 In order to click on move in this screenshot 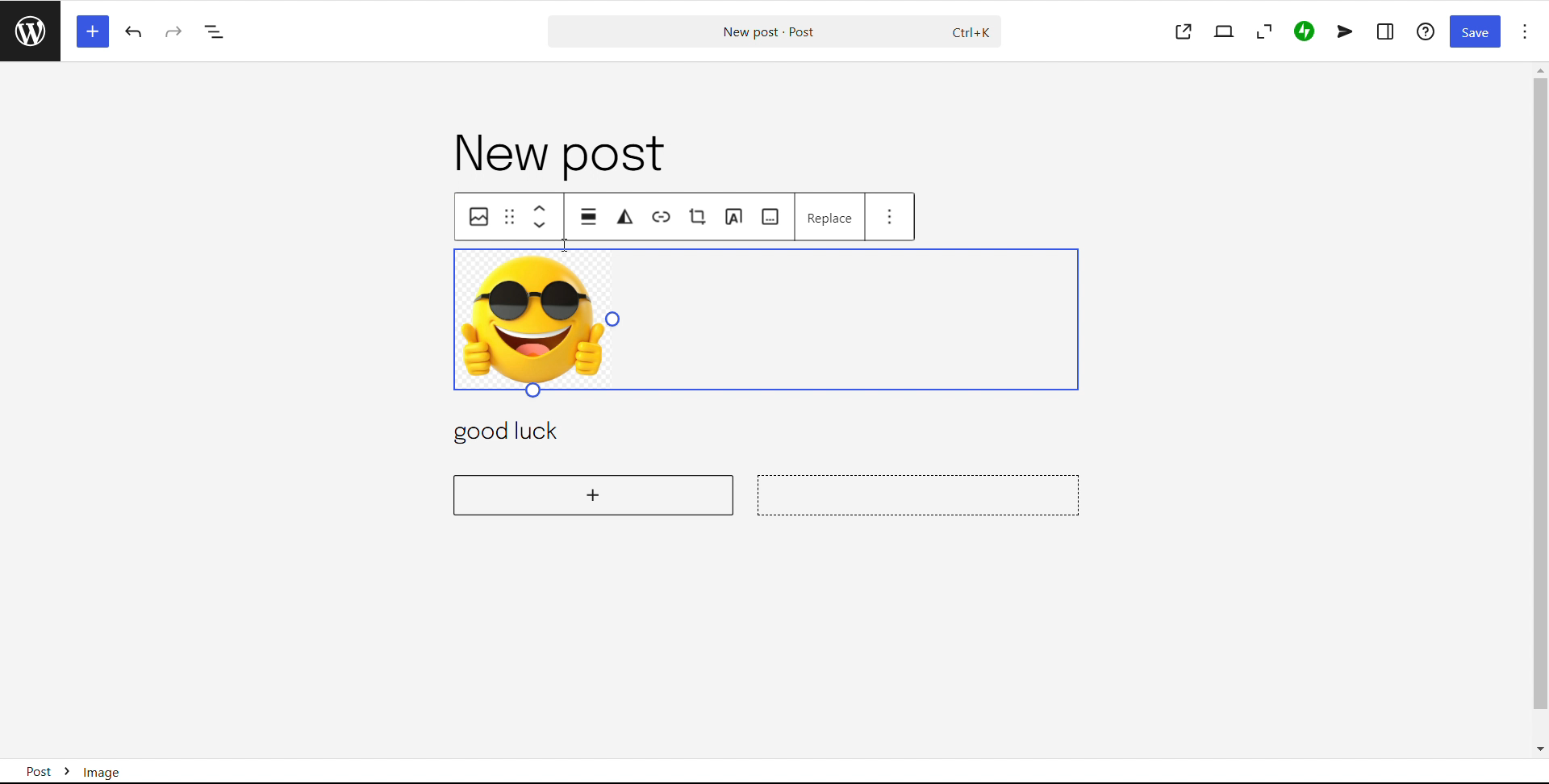, I will do `click(591, 216)`.